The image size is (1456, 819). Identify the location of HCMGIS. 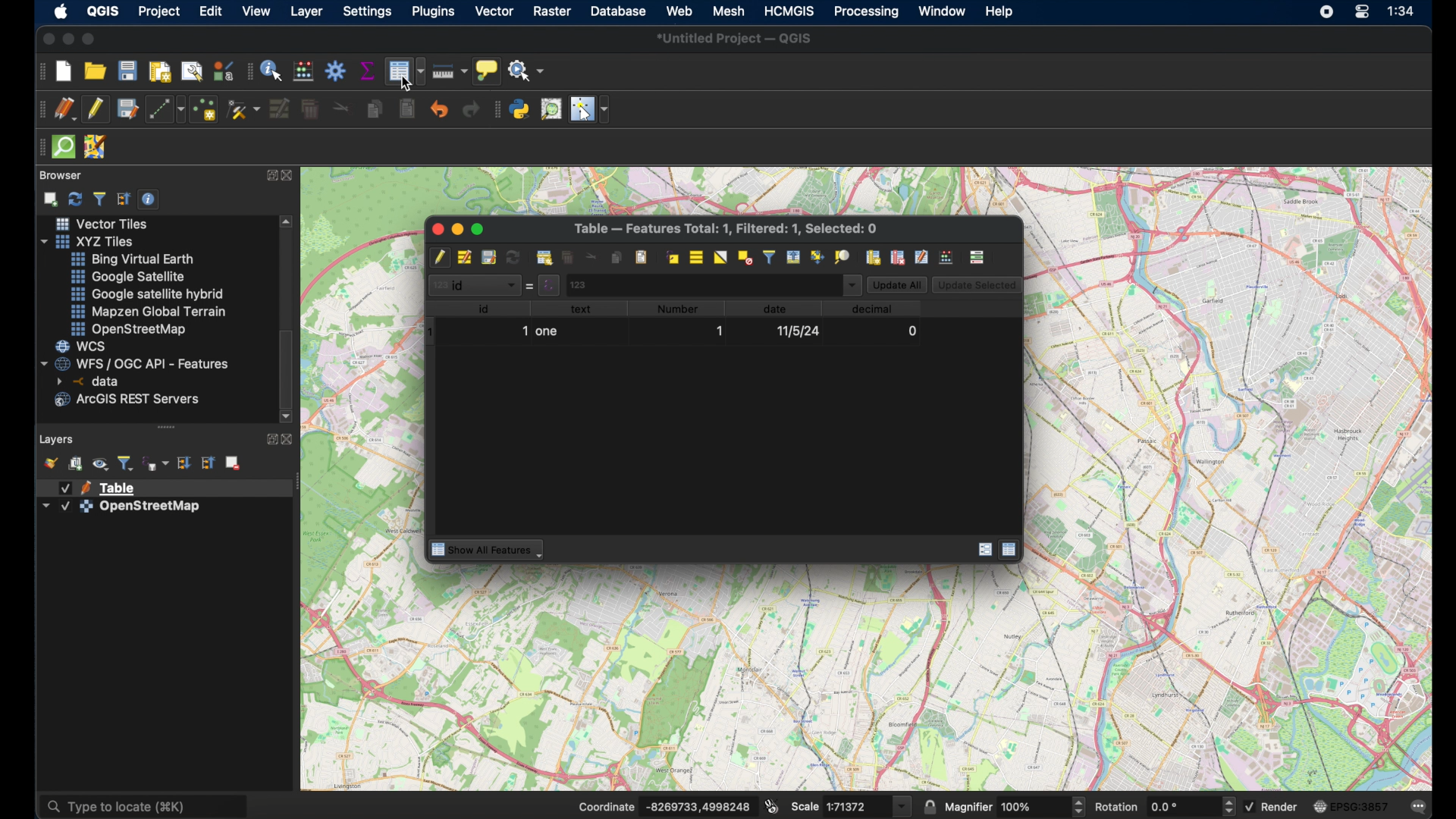
(789, 11).